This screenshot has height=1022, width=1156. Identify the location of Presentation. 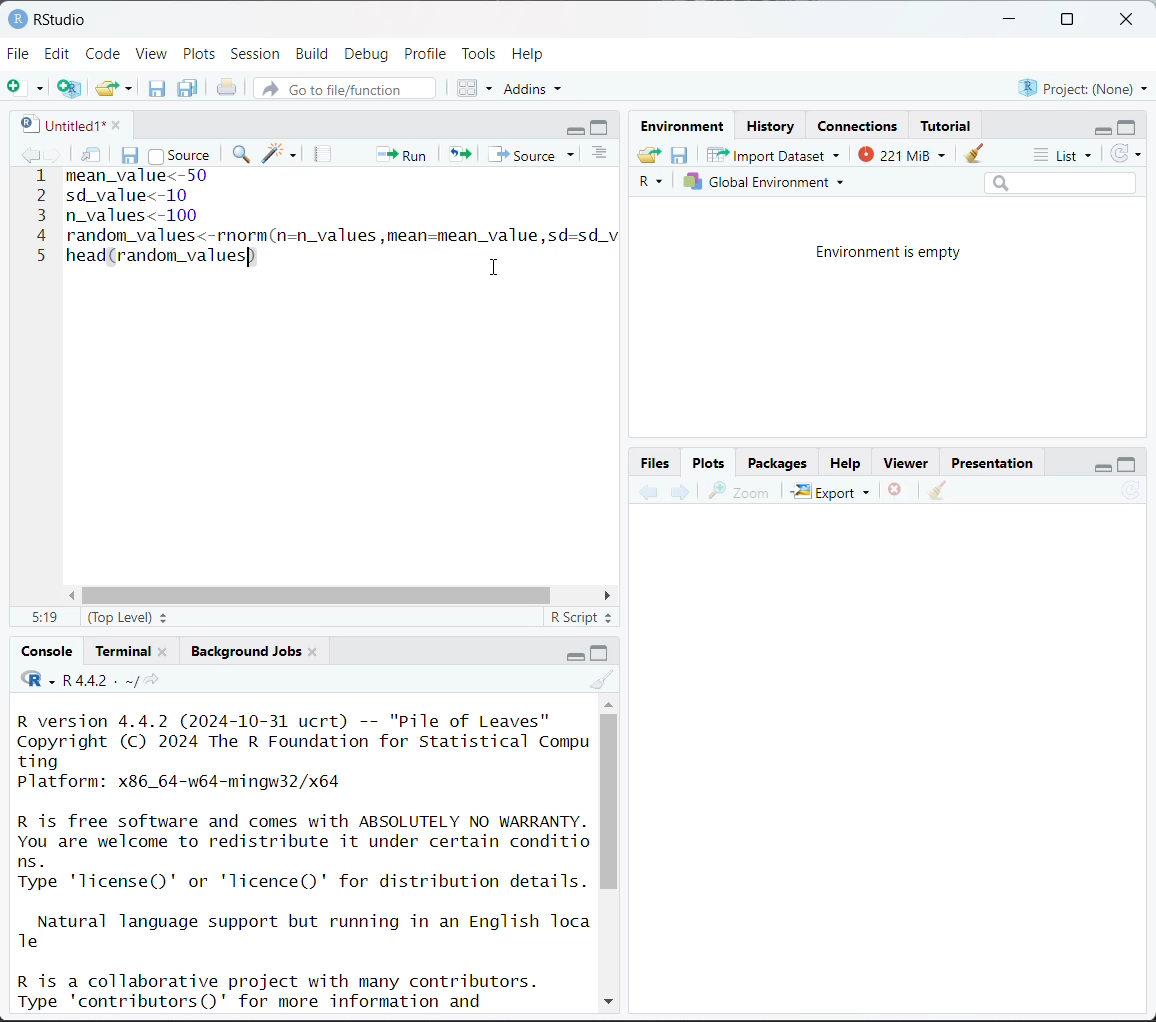
(993, 464).